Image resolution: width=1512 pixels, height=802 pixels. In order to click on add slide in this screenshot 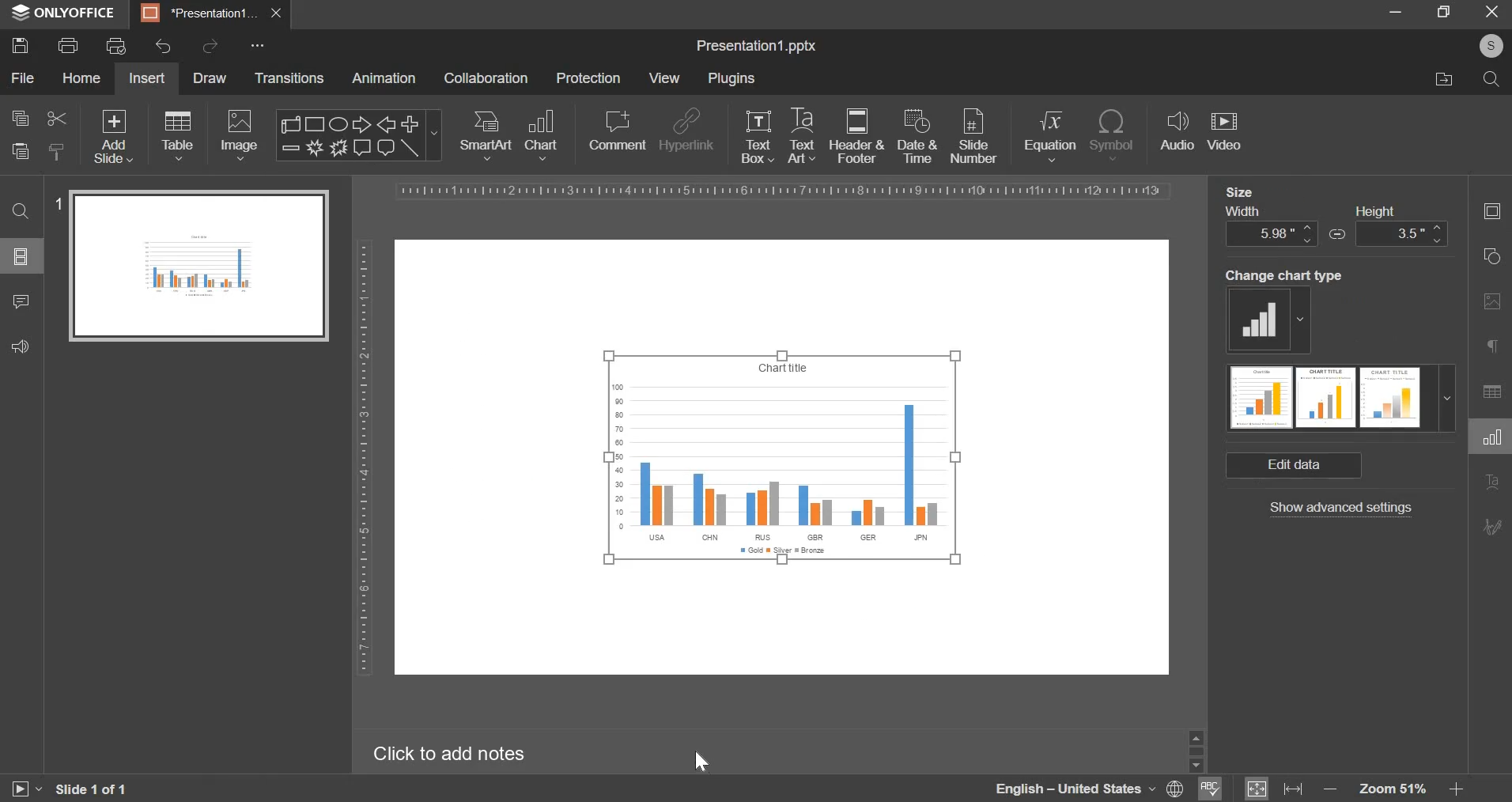, I will do `click(112, 135)`.